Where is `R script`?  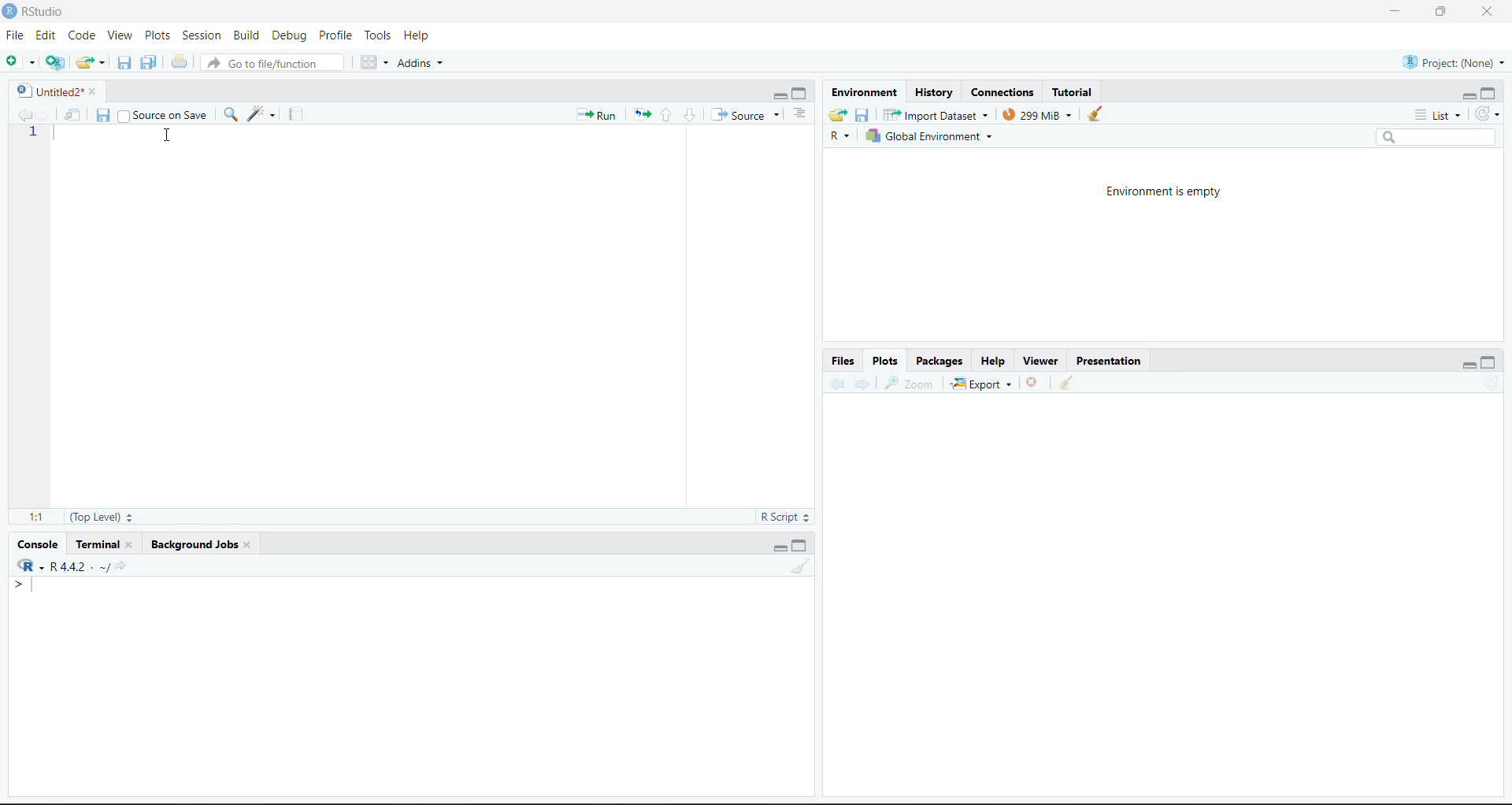 R script is located at coordinates (785, 517).